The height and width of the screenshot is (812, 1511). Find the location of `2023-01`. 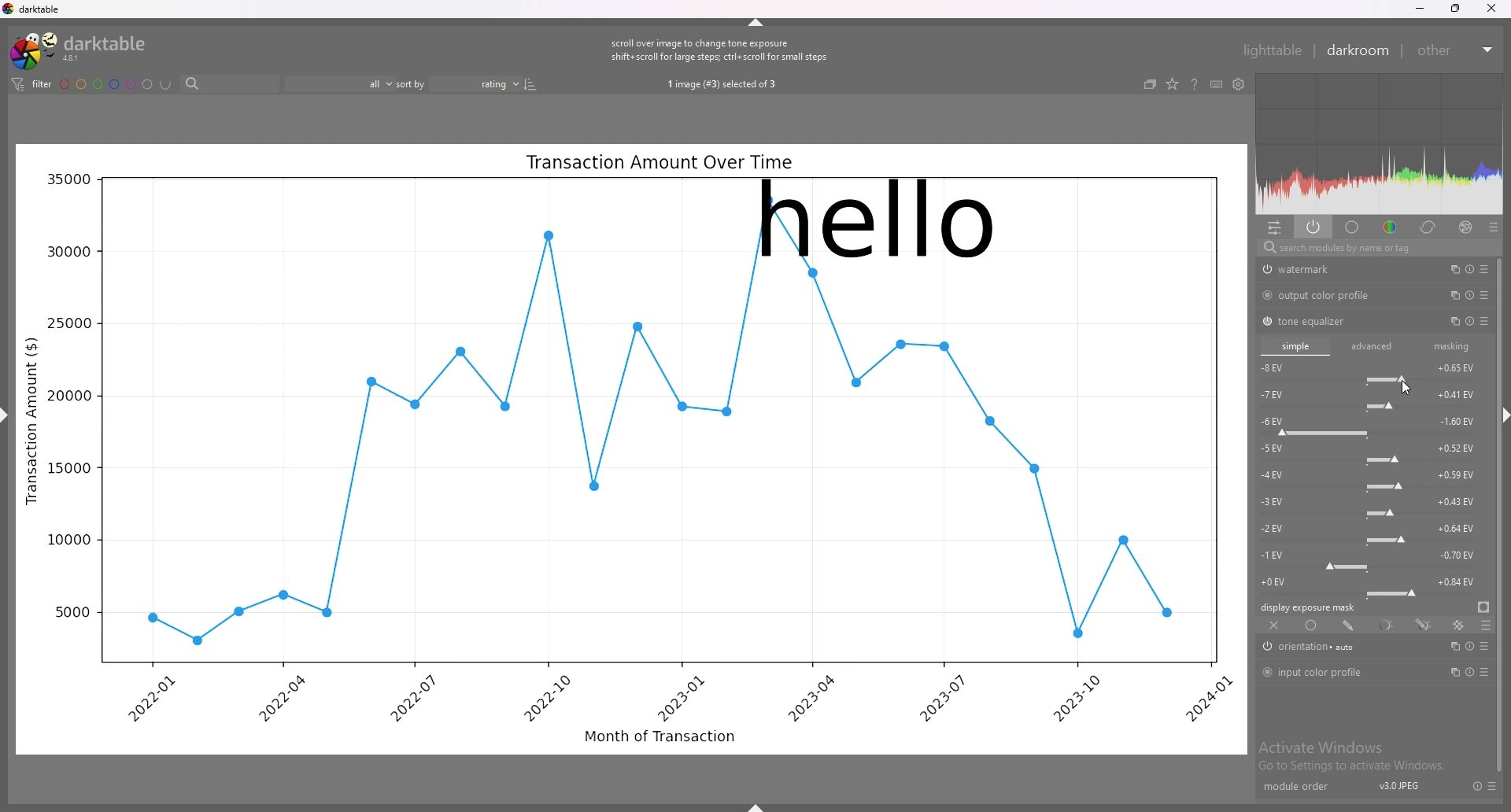

2023-01 is located at coordinates (679, 698).